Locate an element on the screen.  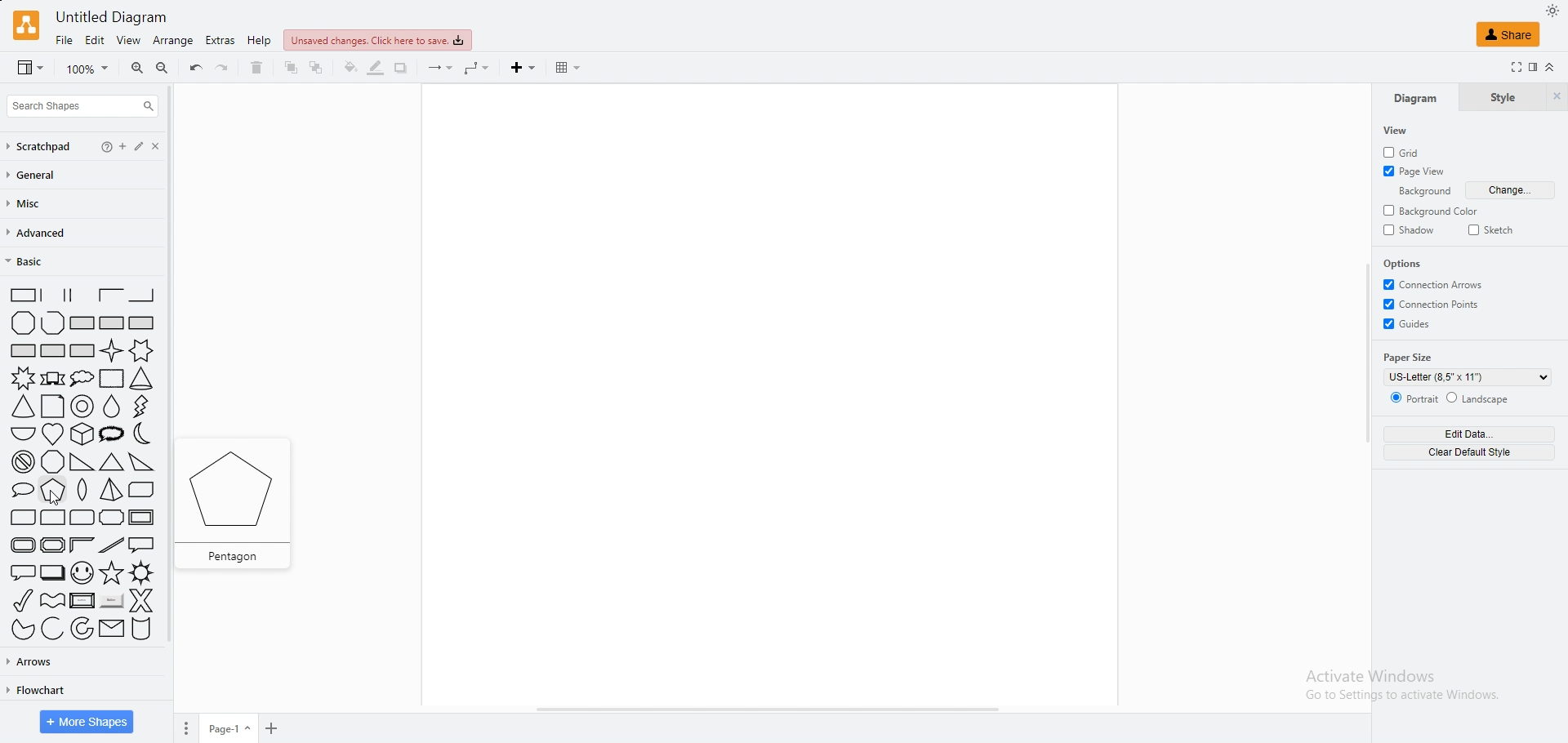
pie is located at coordinates (19, 630).